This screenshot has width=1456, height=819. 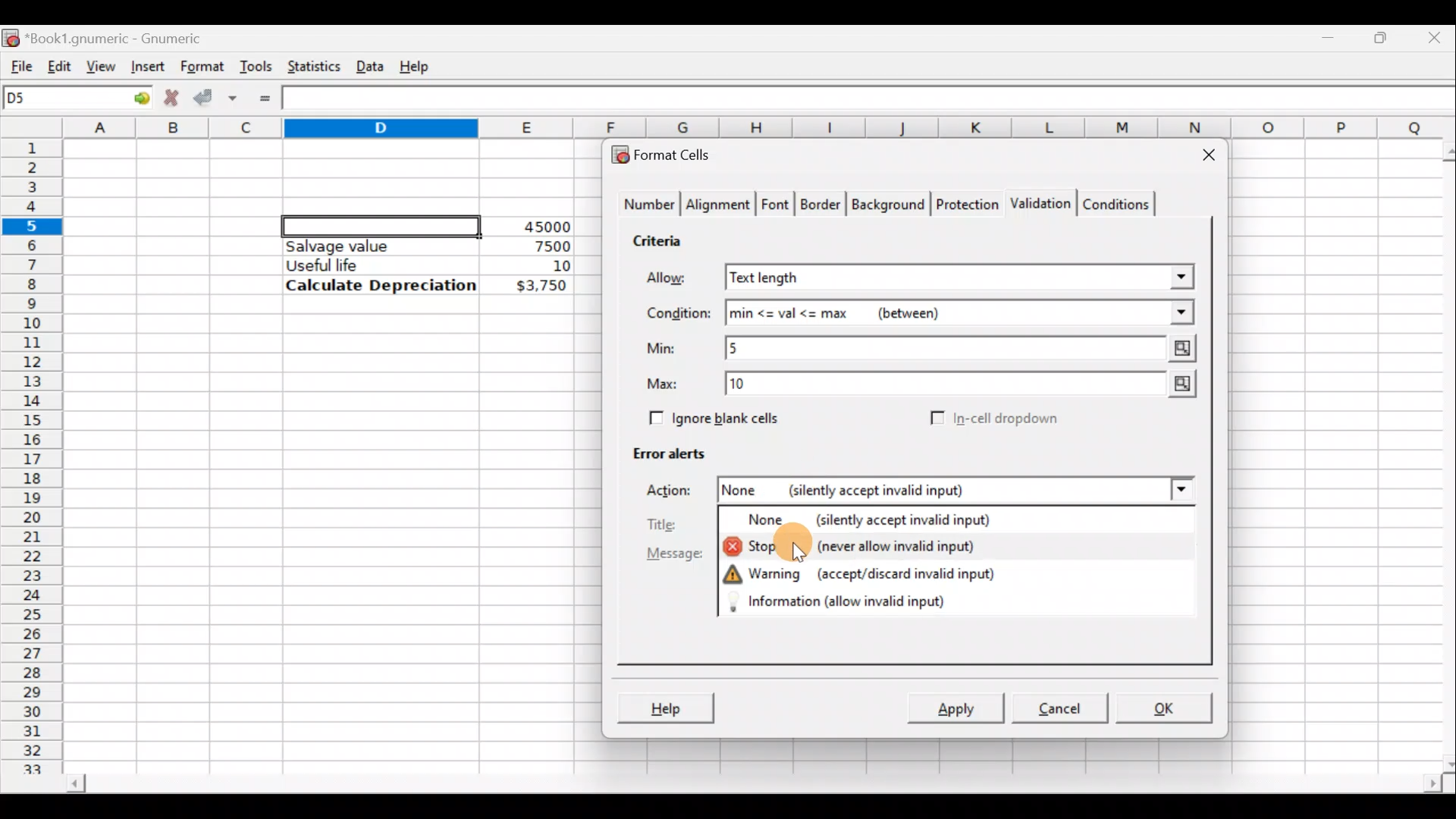 What do you see at coordinates (668, 384) in the screenshot?
I see `Max` at bounding box center [668, 384].